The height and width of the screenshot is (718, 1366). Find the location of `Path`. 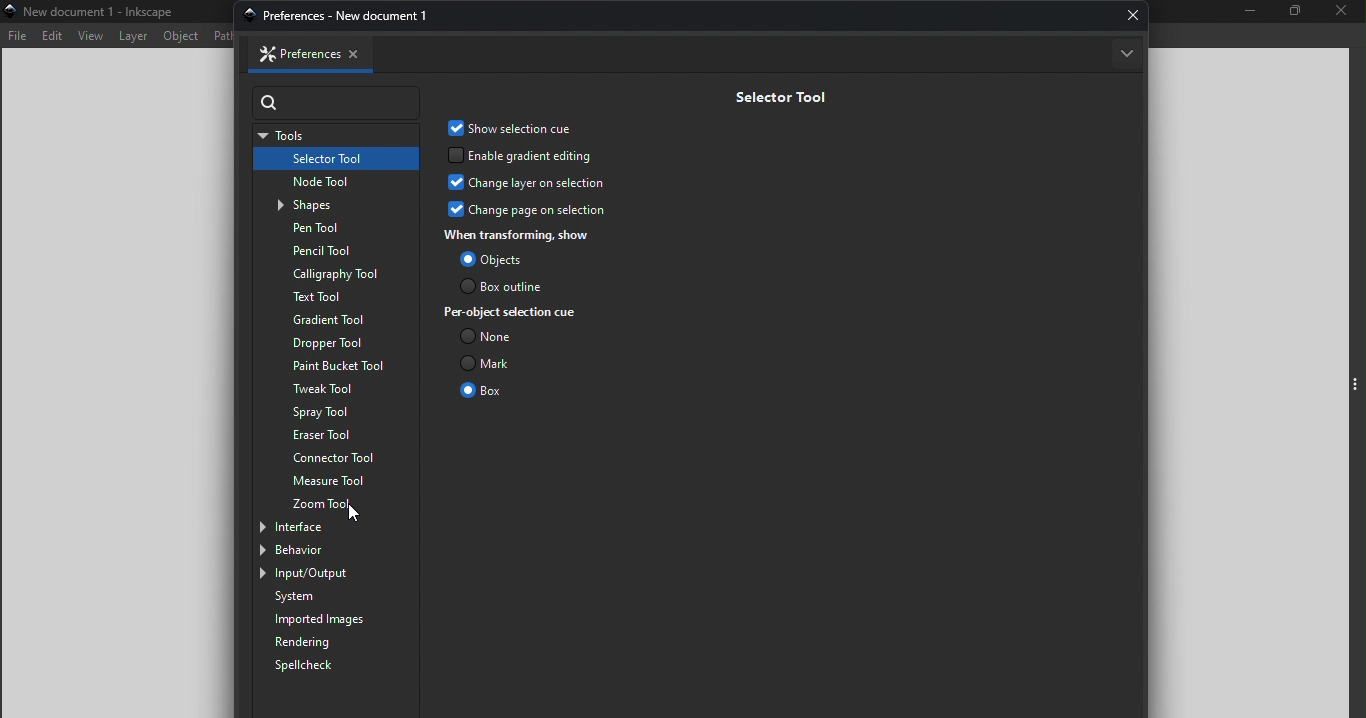

Path is located at coordinates (219, 35).